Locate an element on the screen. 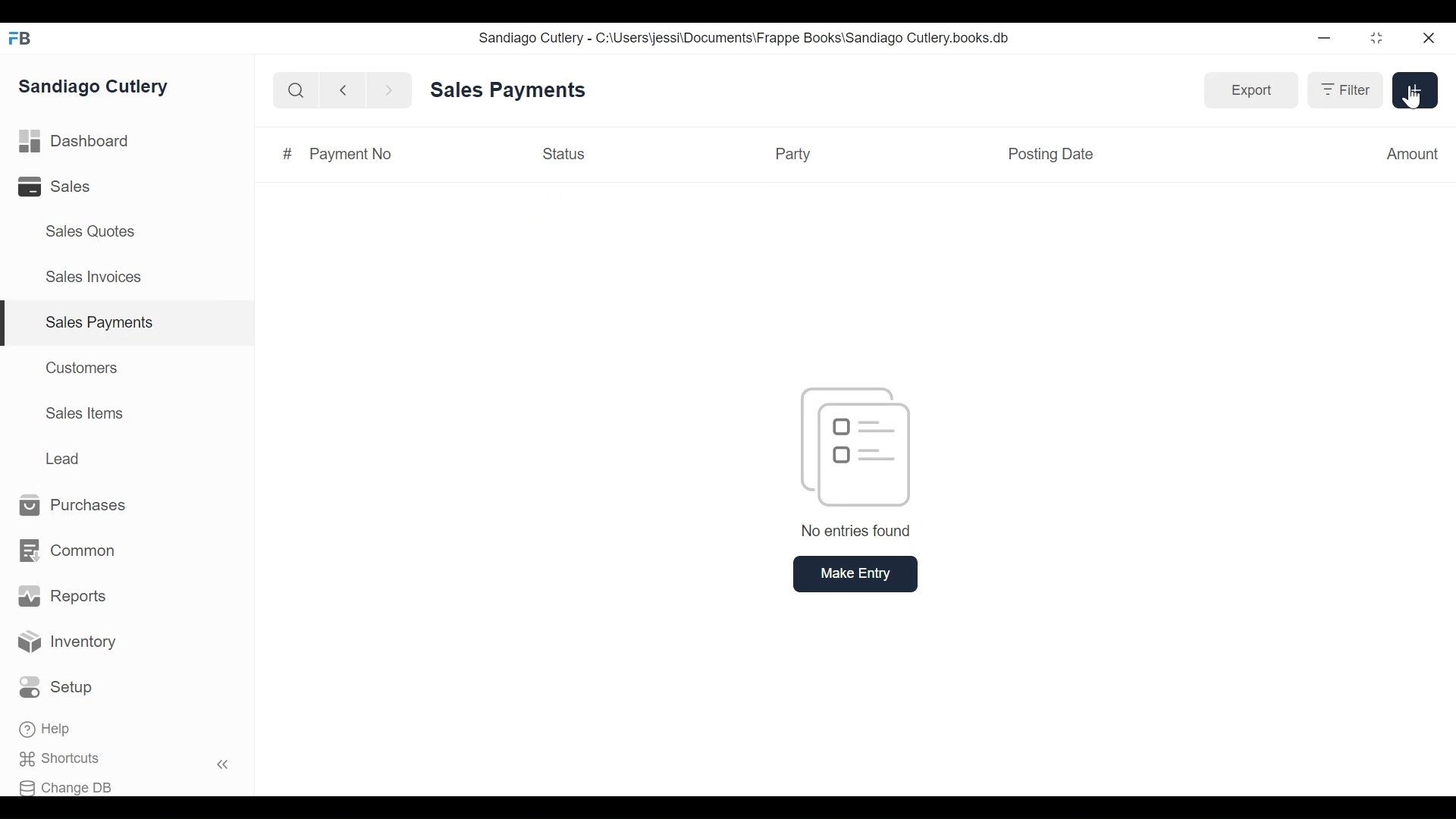 The width and height of the screenshot is (1456, 819). Sales Payments is located at coordinates (511, 90).